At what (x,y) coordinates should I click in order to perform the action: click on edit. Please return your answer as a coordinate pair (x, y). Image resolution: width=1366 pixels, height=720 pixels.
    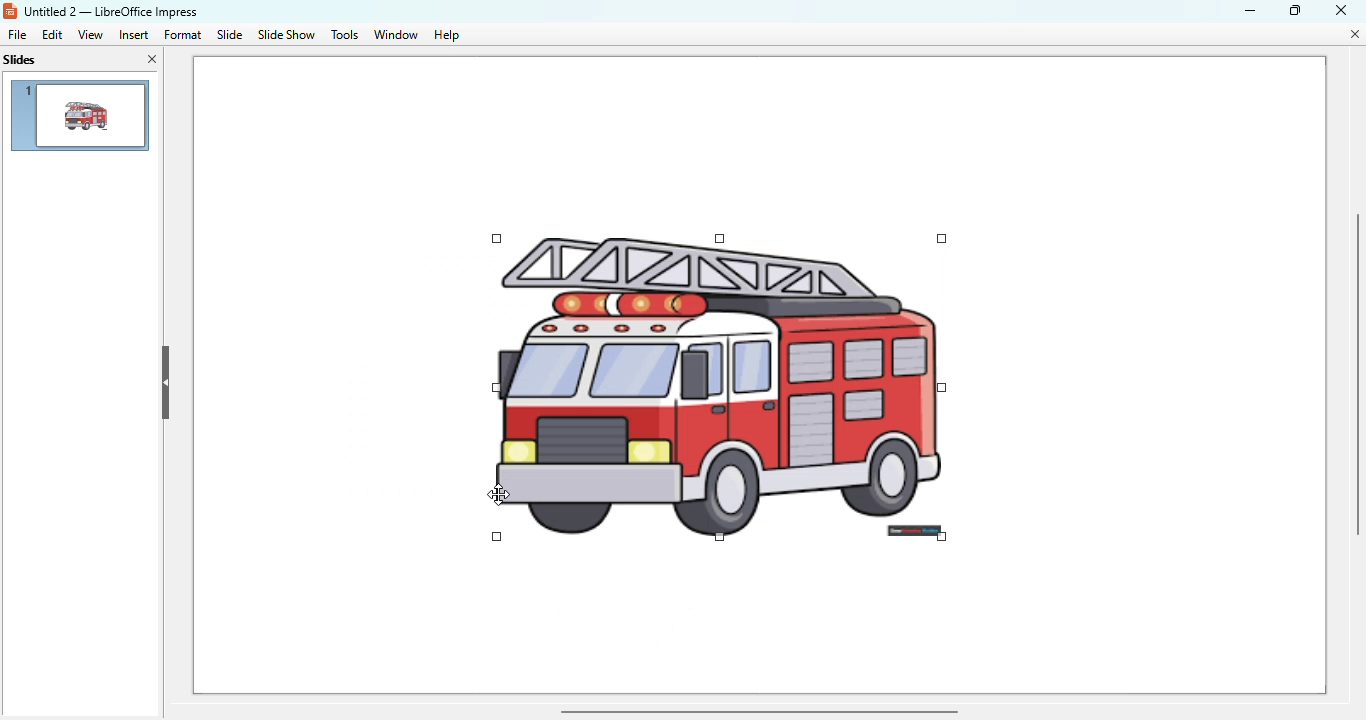
    Looking at the image, I should click on (52, 35).